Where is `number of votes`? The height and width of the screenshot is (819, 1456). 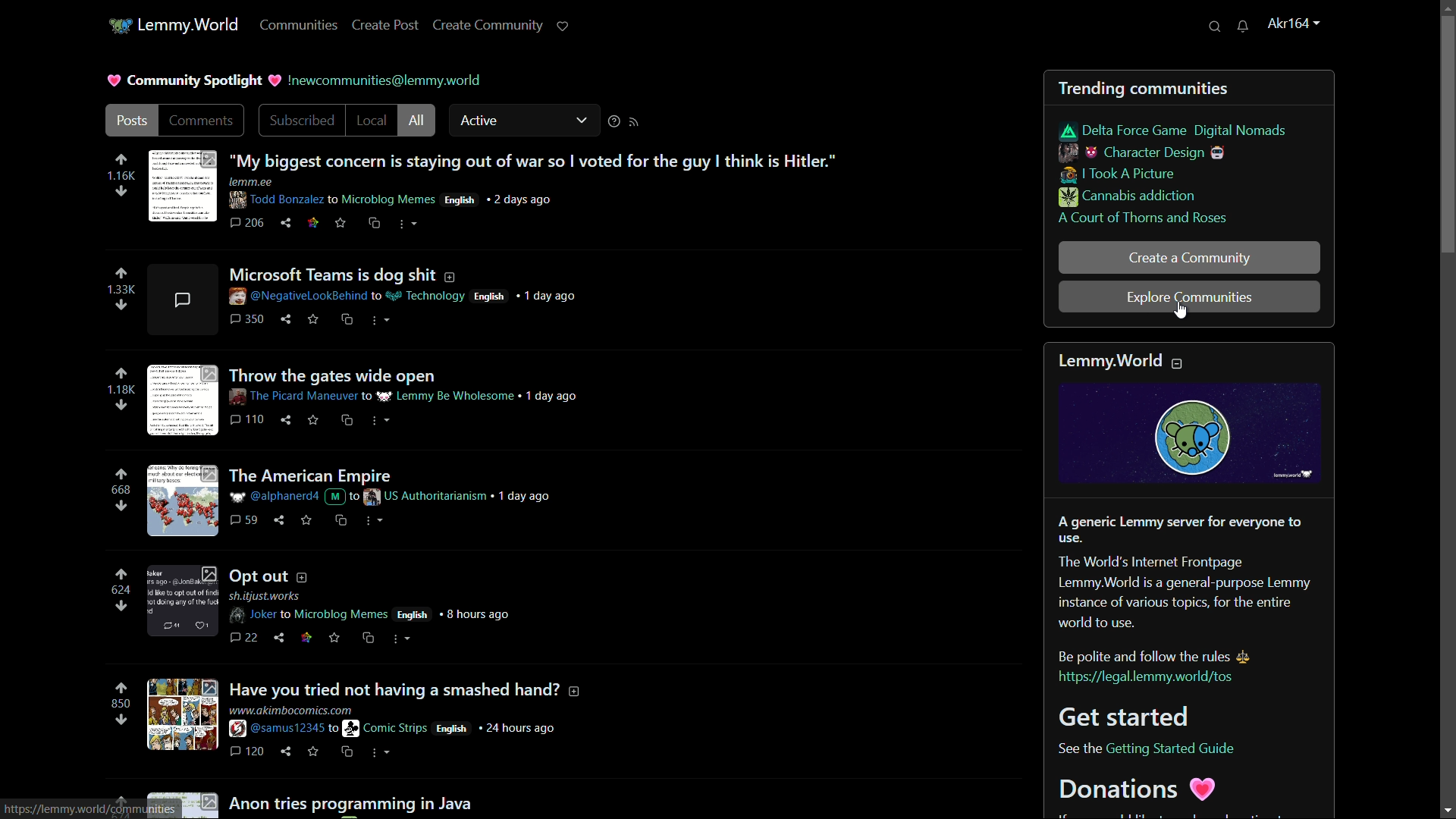 number of votes is located at coordinates (119, 703).